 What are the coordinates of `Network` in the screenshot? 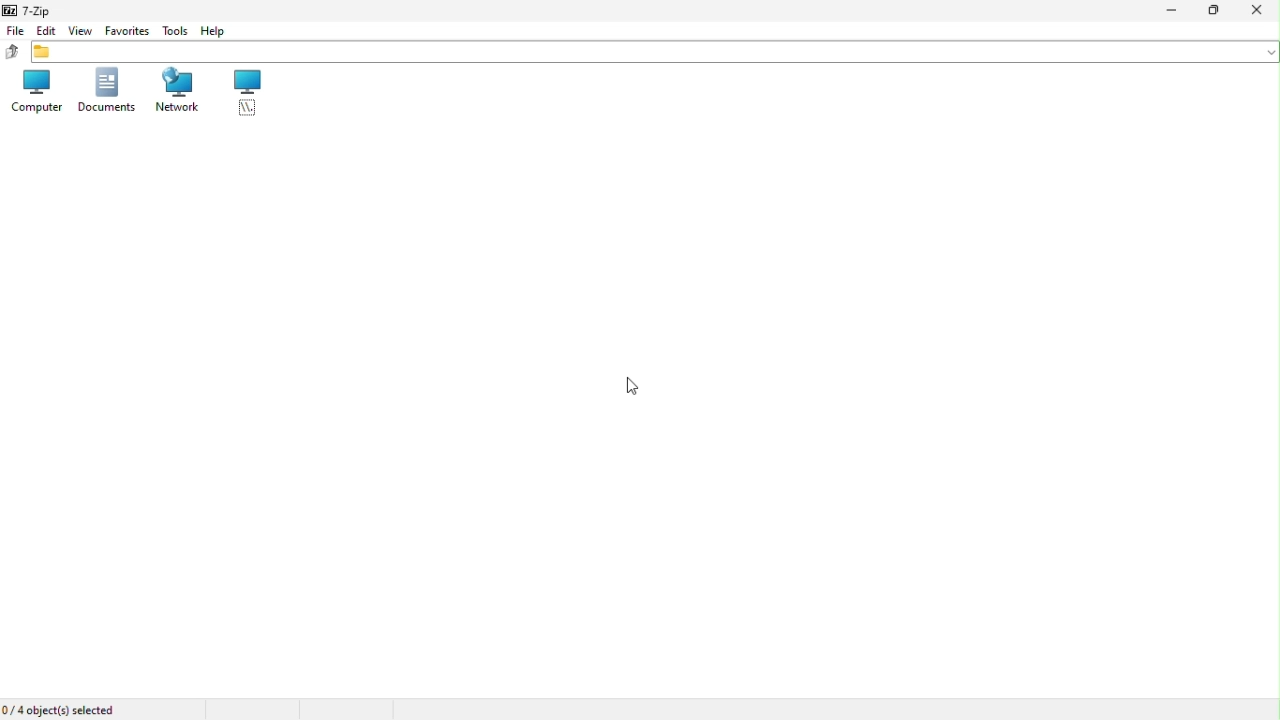 It's located at (178, 93).